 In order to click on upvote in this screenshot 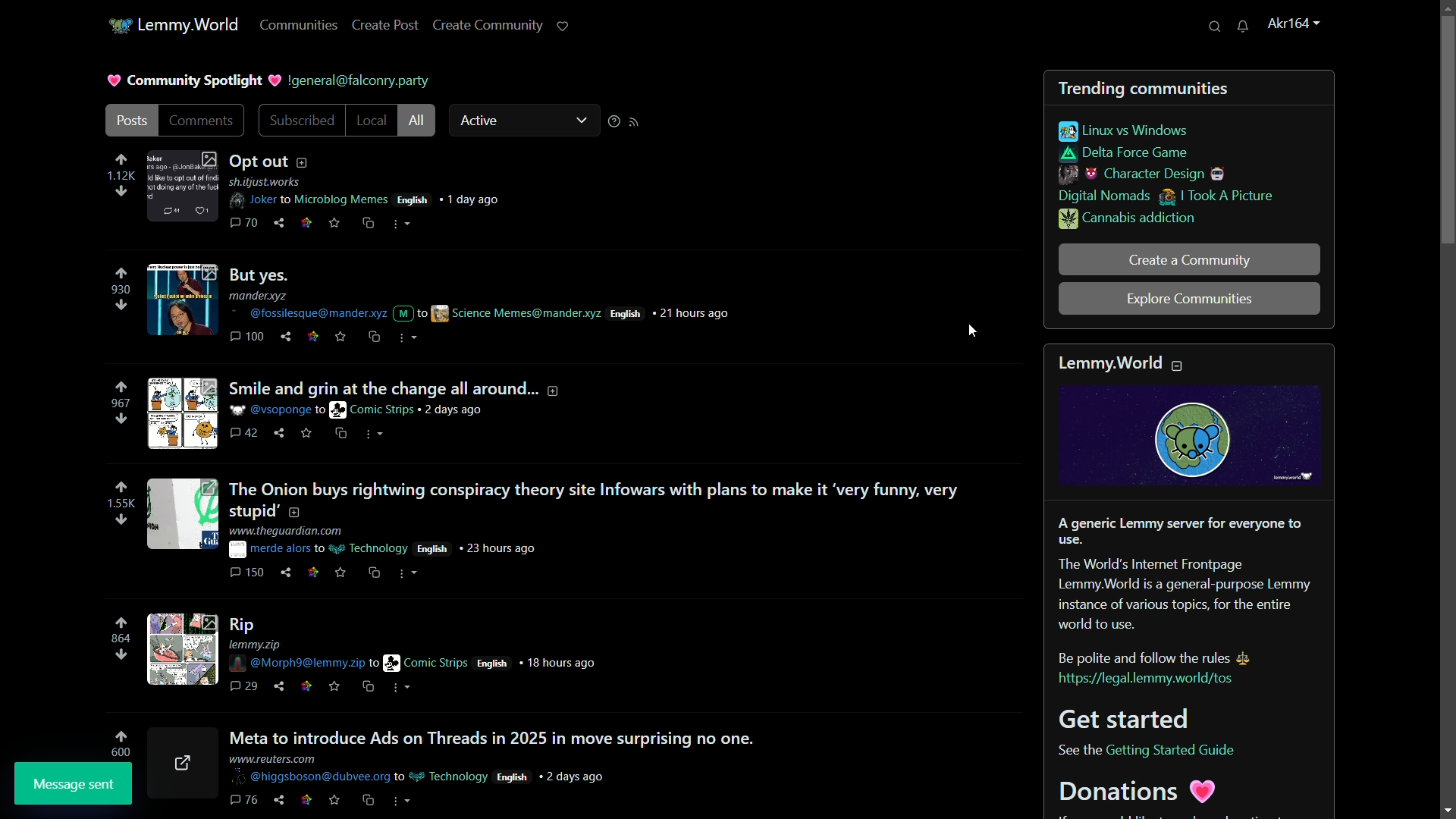, I will do `click(121, 483)`.